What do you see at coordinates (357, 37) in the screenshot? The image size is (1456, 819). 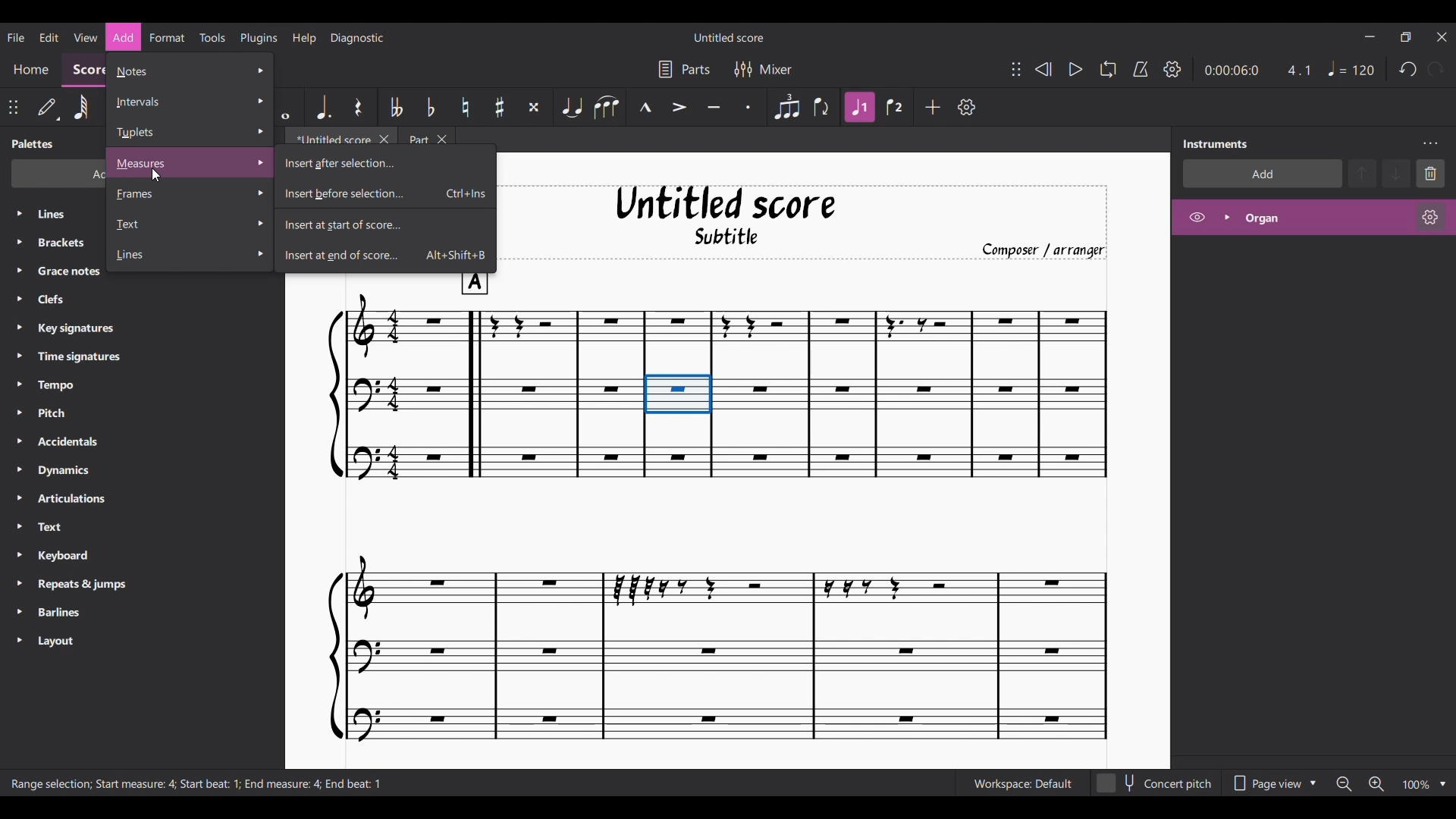 I see `Diagnostic menu` at bounding box center [357, 37].